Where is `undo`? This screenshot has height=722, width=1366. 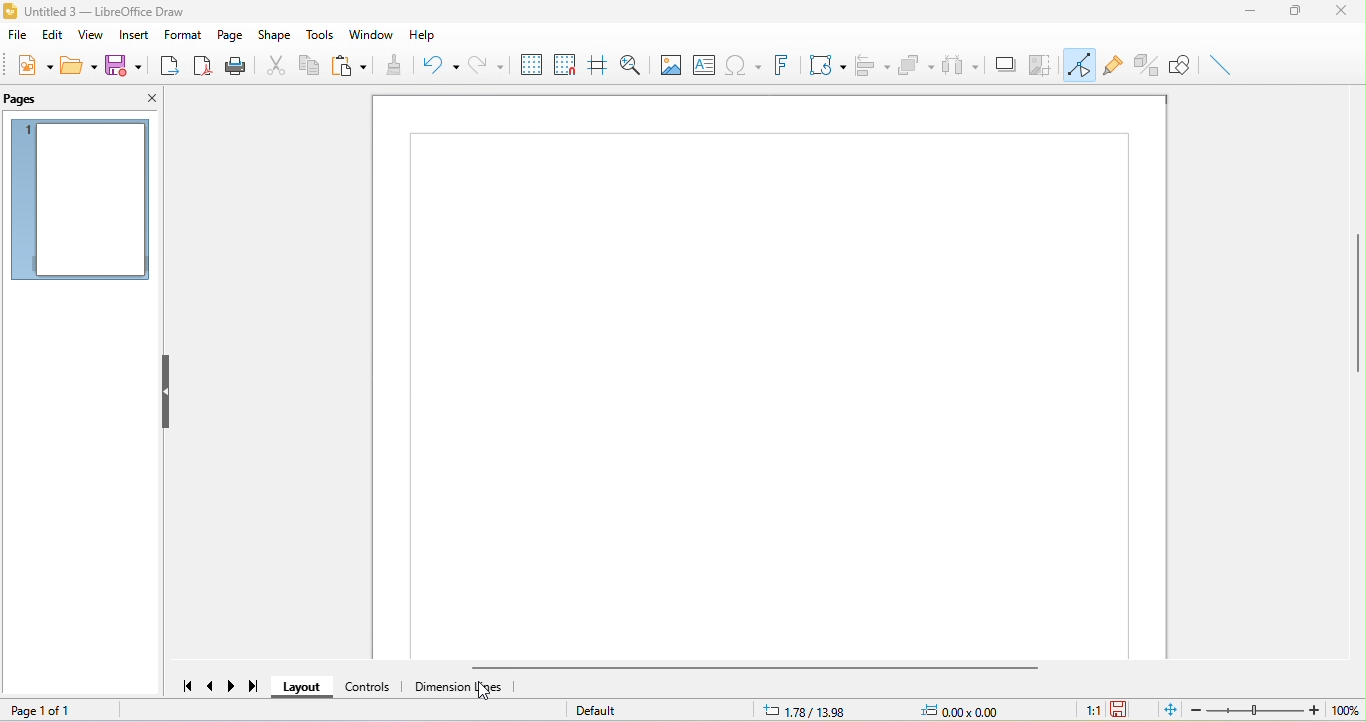
undo is located at coordinates (436, 64).